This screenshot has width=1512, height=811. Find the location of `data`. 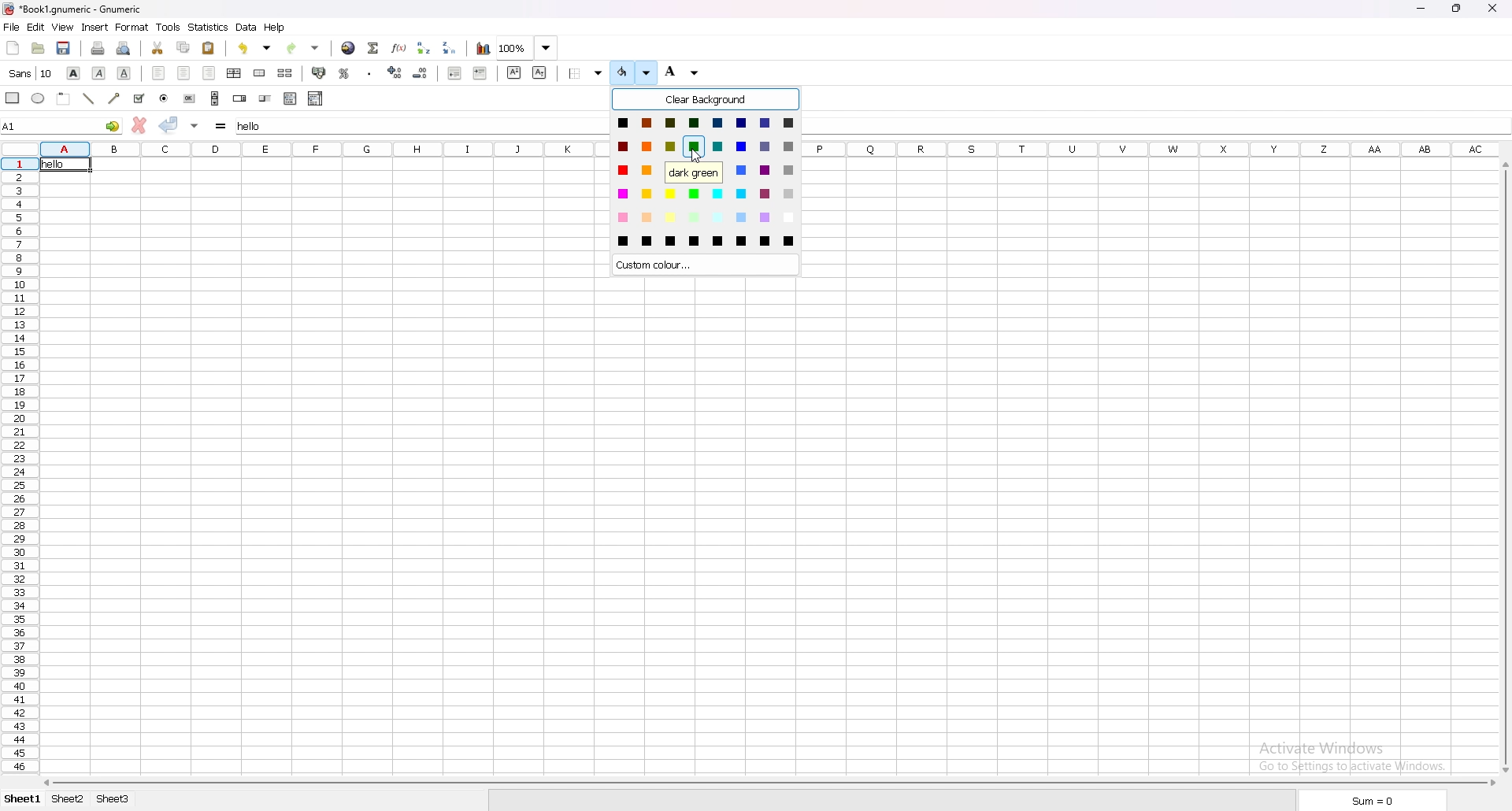

data is located at coordinates (247, 27).